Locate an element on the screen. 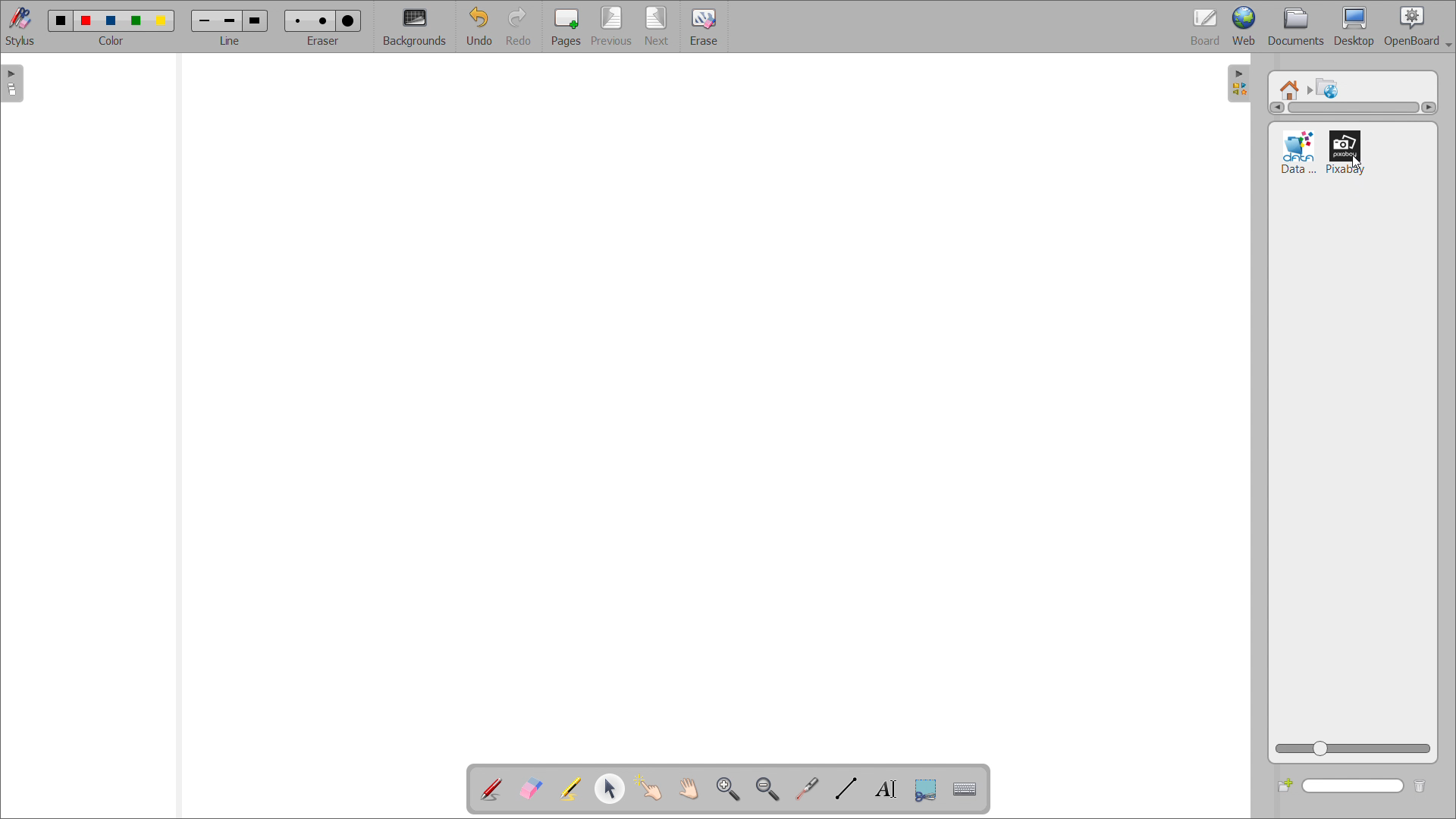  add annotation is located at coordinates (491, 789).